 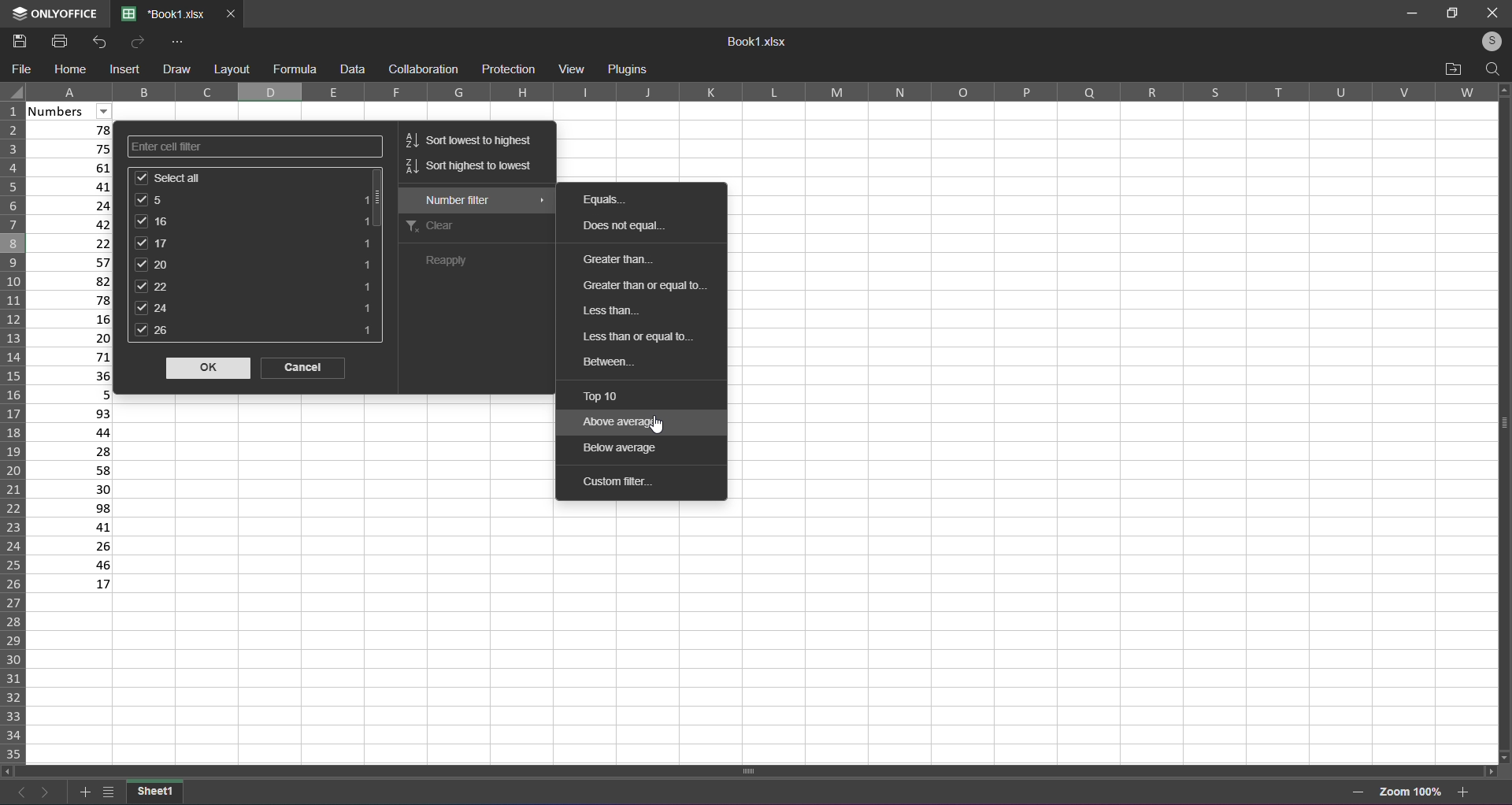 I want to click on List of sheet, so click(x=108, y=790).